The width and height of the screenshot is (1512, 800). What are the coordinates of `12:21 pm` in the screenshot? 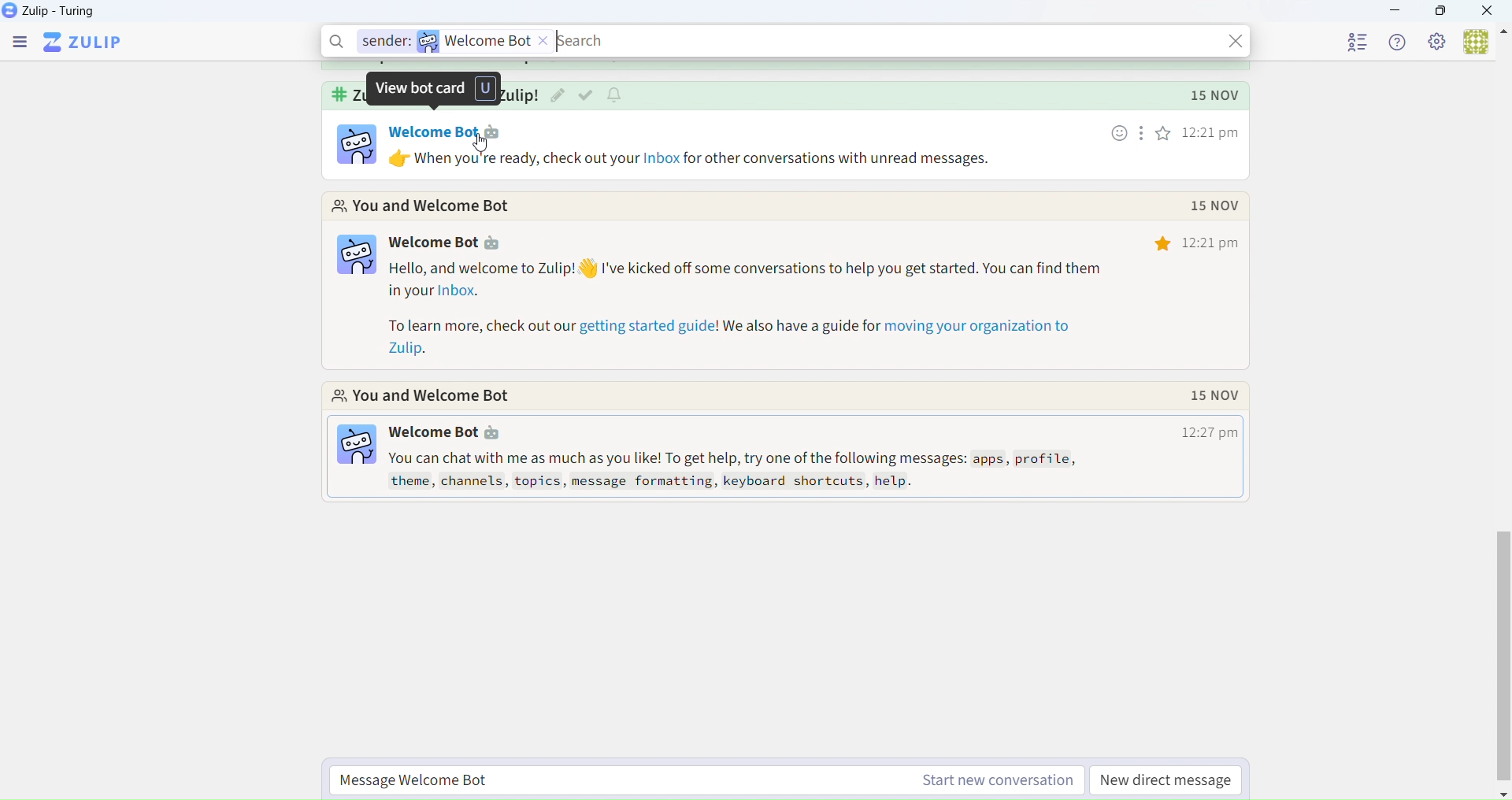 It's located at (1214, 132).